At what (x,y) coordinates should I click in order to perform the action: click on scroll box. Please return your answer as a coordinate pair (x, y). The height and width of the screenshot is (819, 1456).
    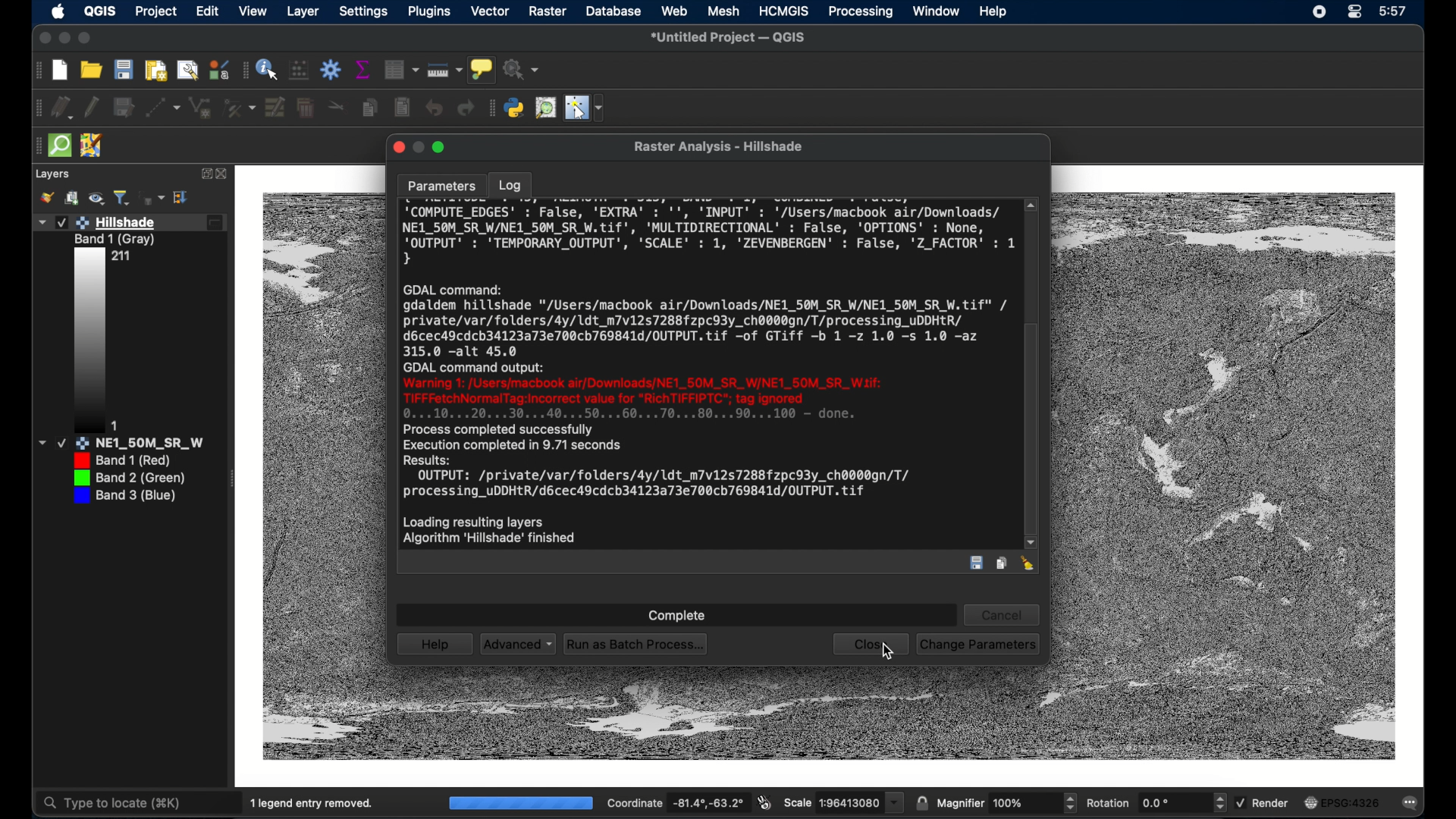
    Looking at the image, I should click on (1031, 428).